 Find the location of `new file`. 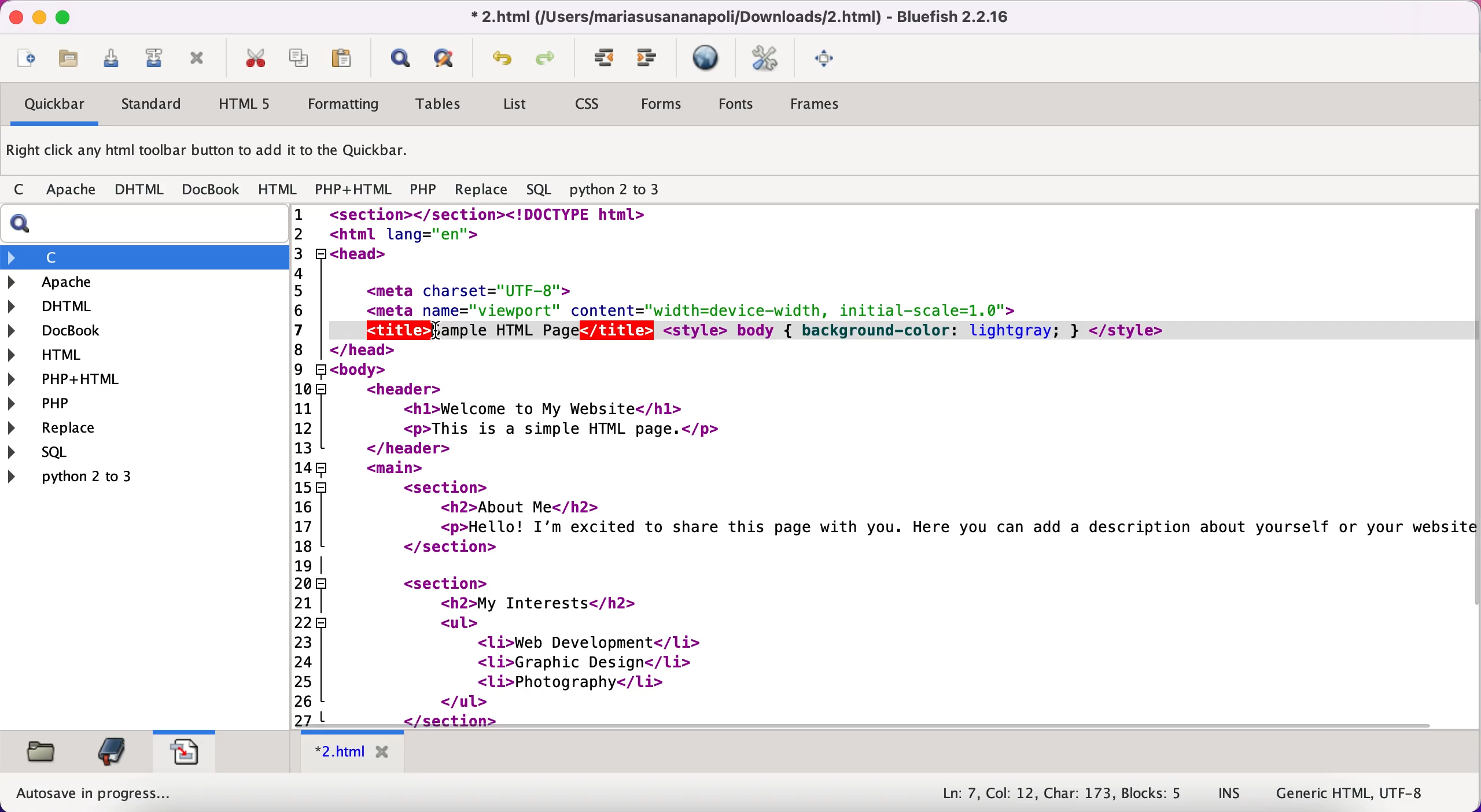

new file is located at coordinates (26, 61).